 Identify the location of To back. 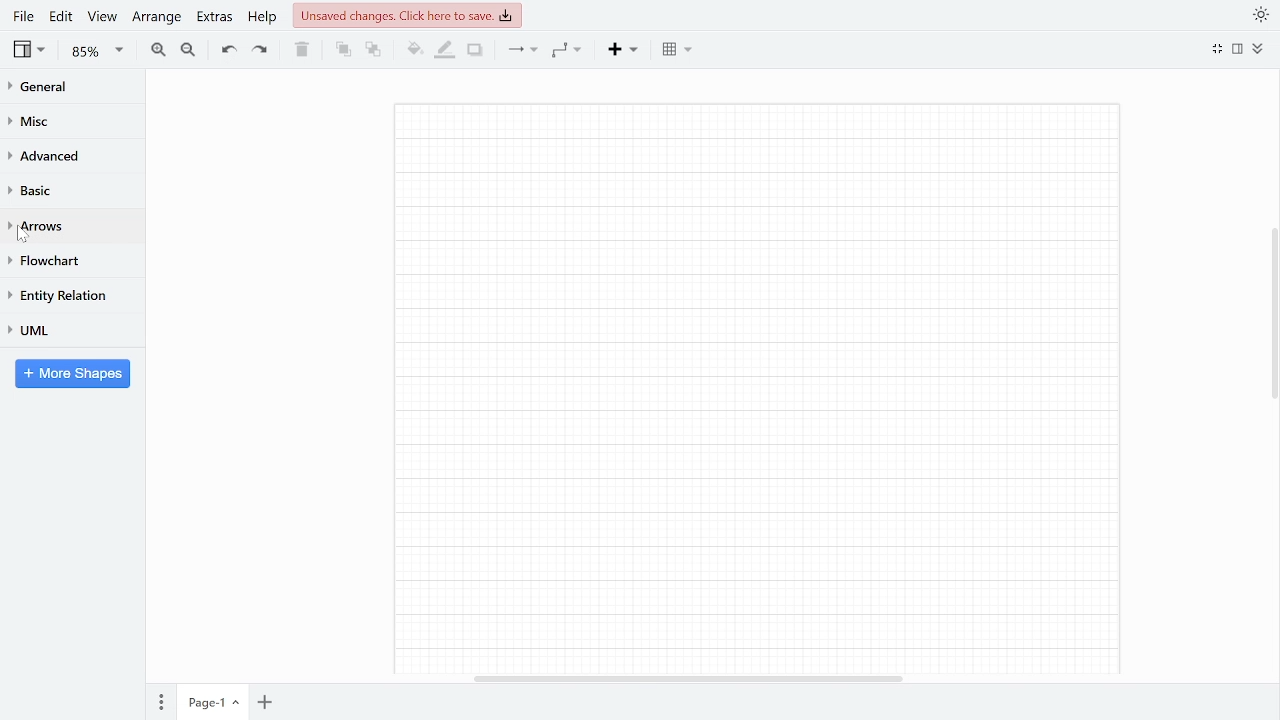
(372, 50).